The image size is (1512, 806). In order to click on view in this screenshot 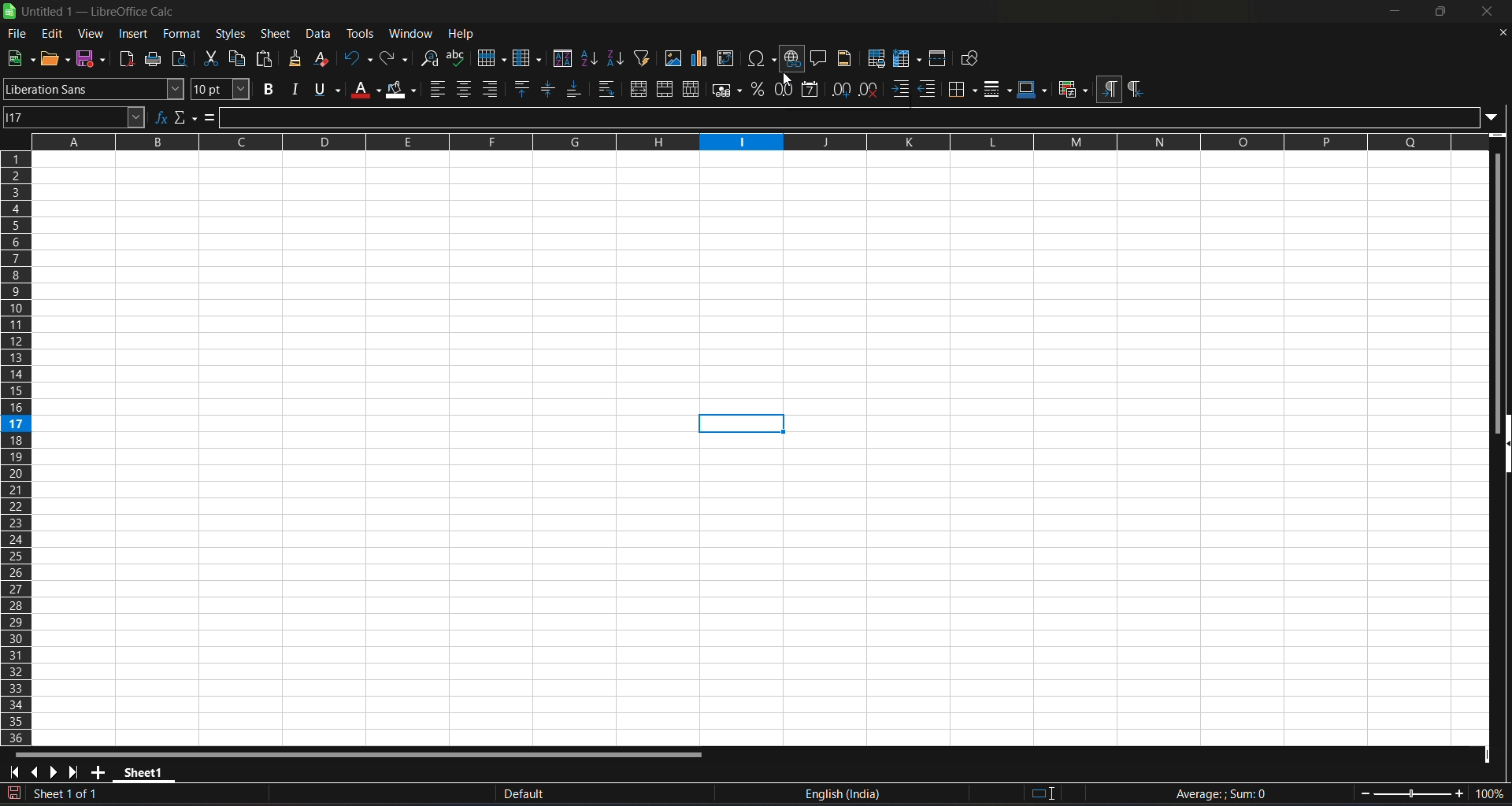, I will do `click(91, 33)`.